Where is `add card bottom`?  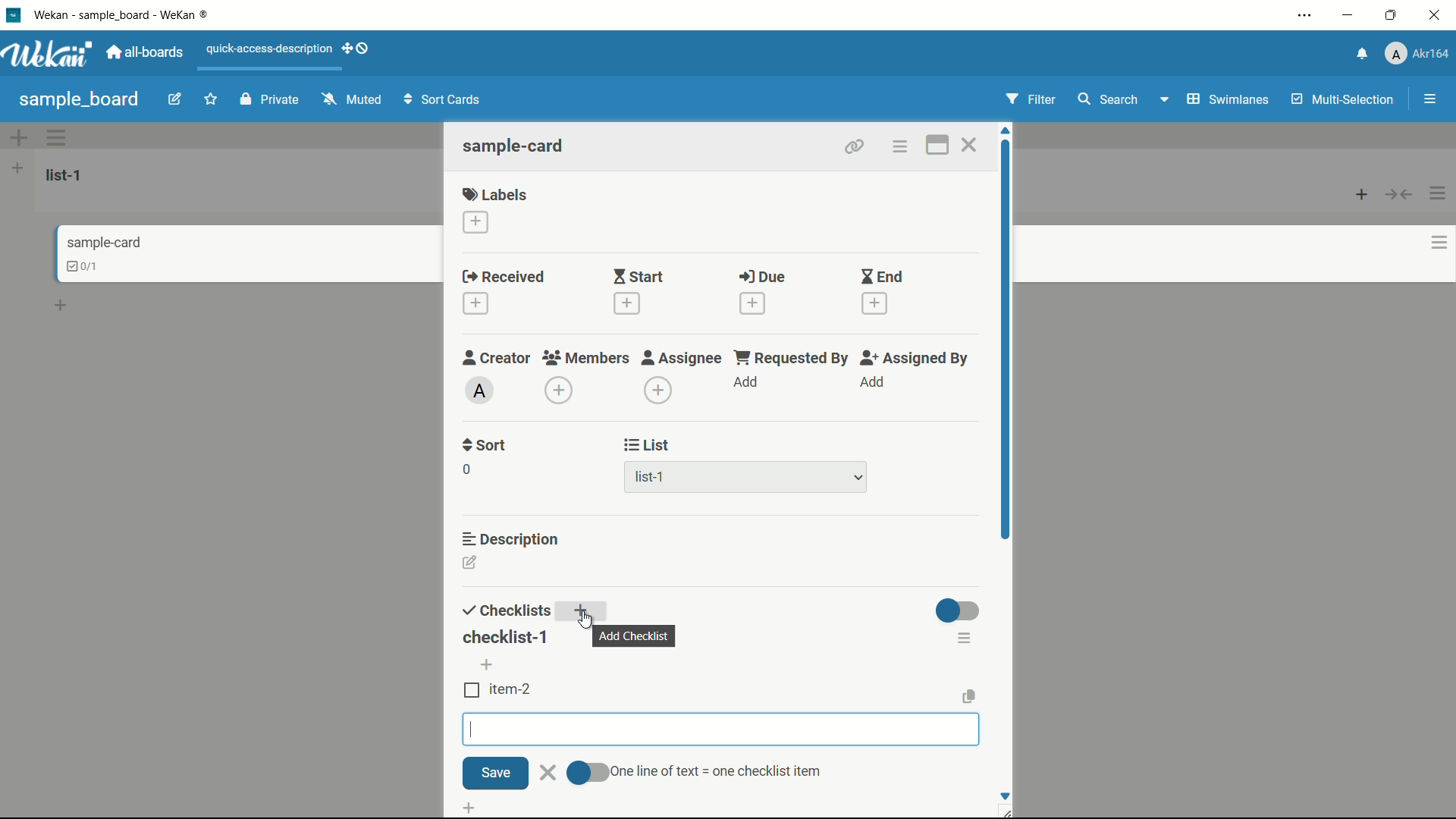 add card bottom is located at coordinates (67, 306).